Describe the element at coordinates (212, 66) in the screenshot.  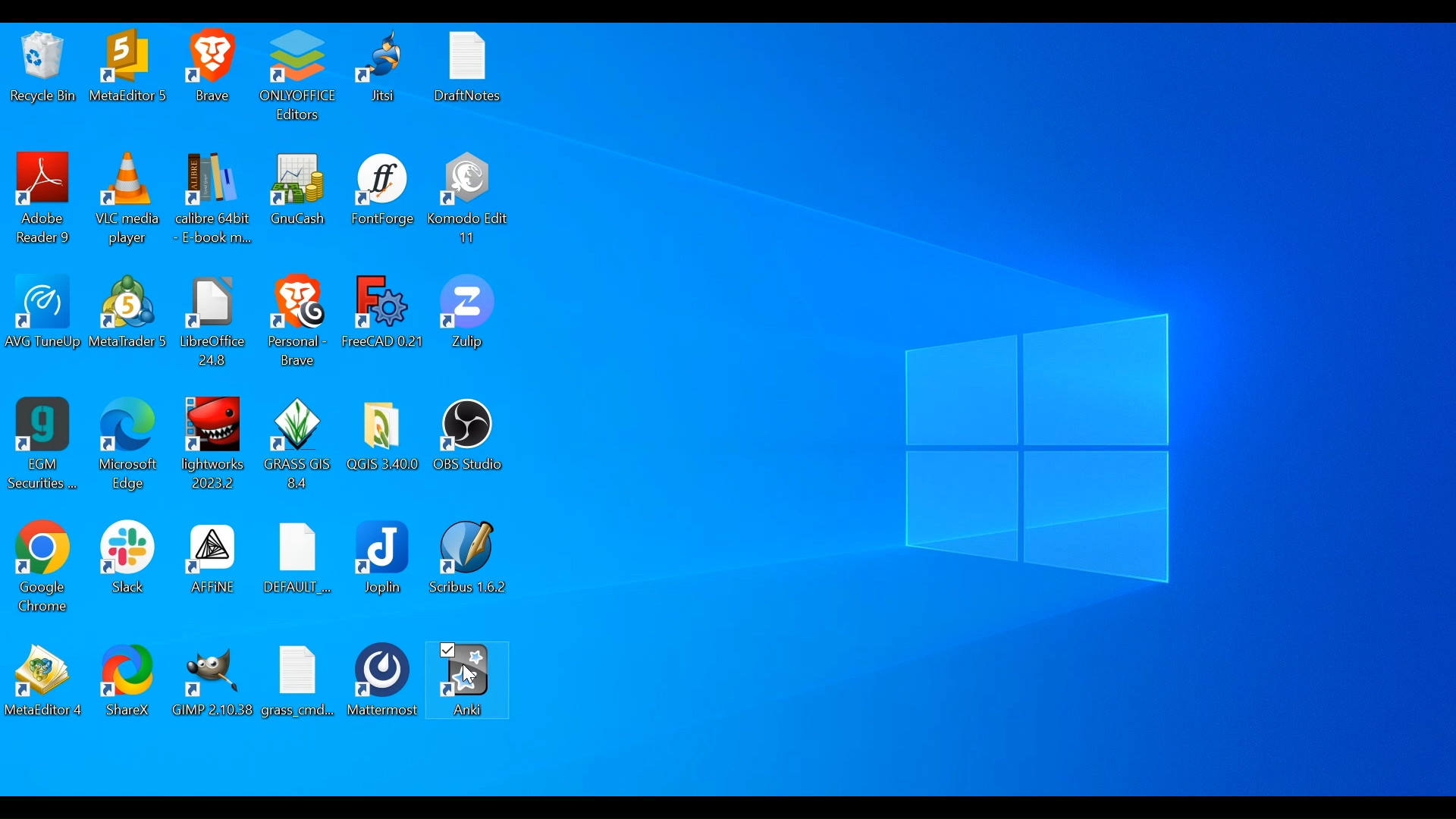
I see `Brave Desktop icon` at that location.